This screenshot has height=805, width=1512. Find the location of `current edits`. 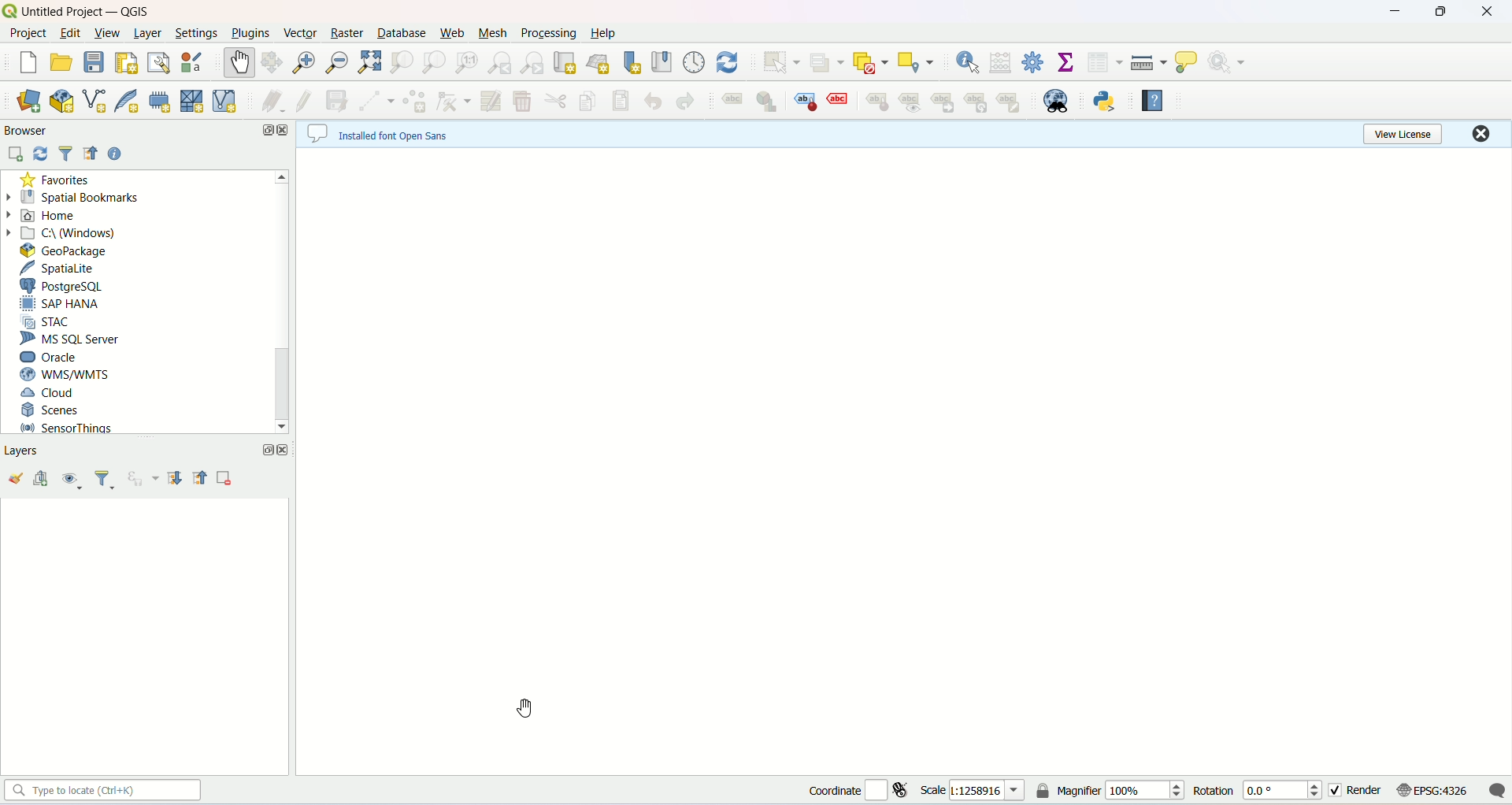

current edits is located at coordinates (272, 100).